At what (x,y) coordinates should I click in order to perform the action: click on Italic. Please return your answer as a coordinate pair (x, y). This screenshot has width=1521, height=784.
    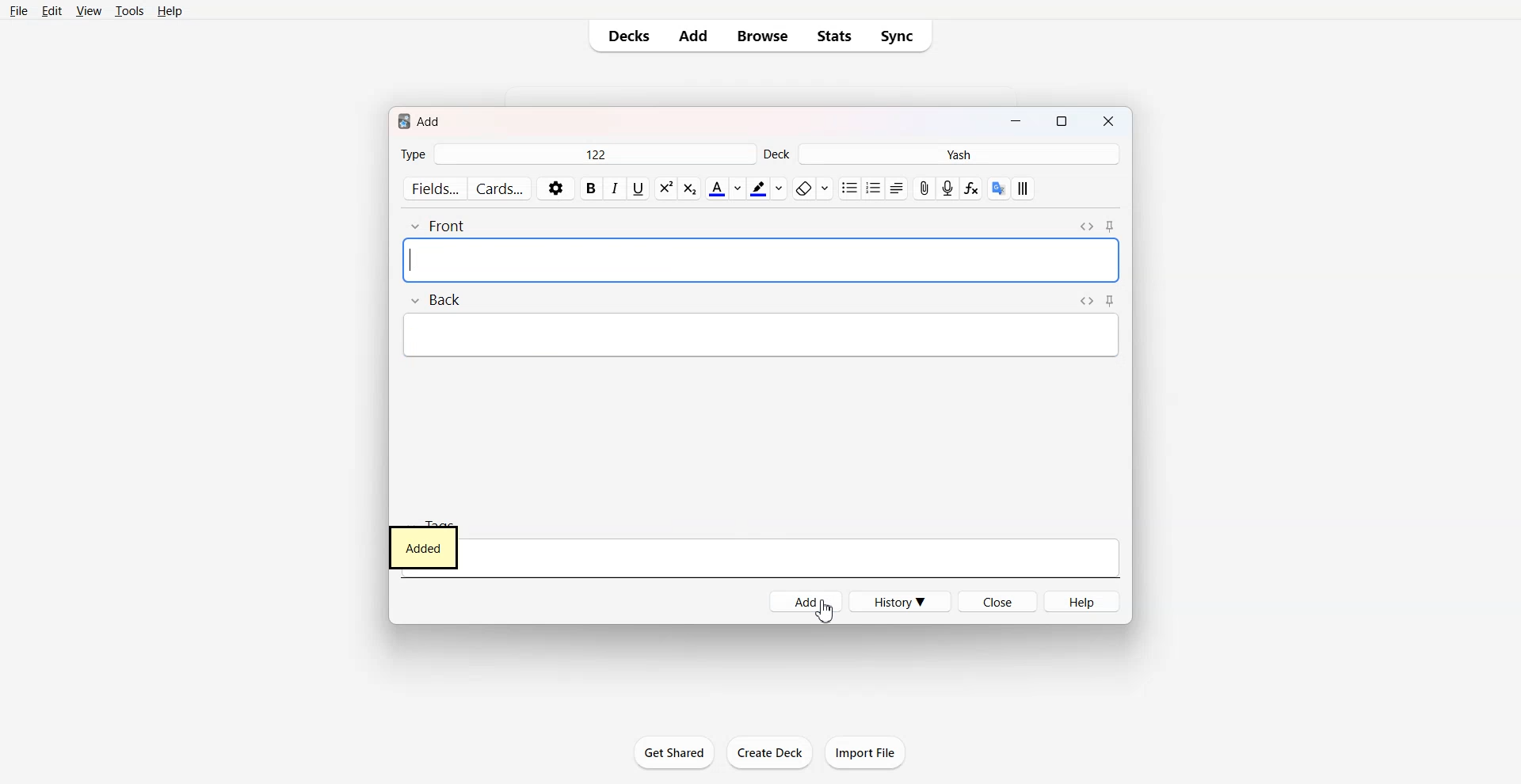
    Looking at the image, I should click on (614, 188).